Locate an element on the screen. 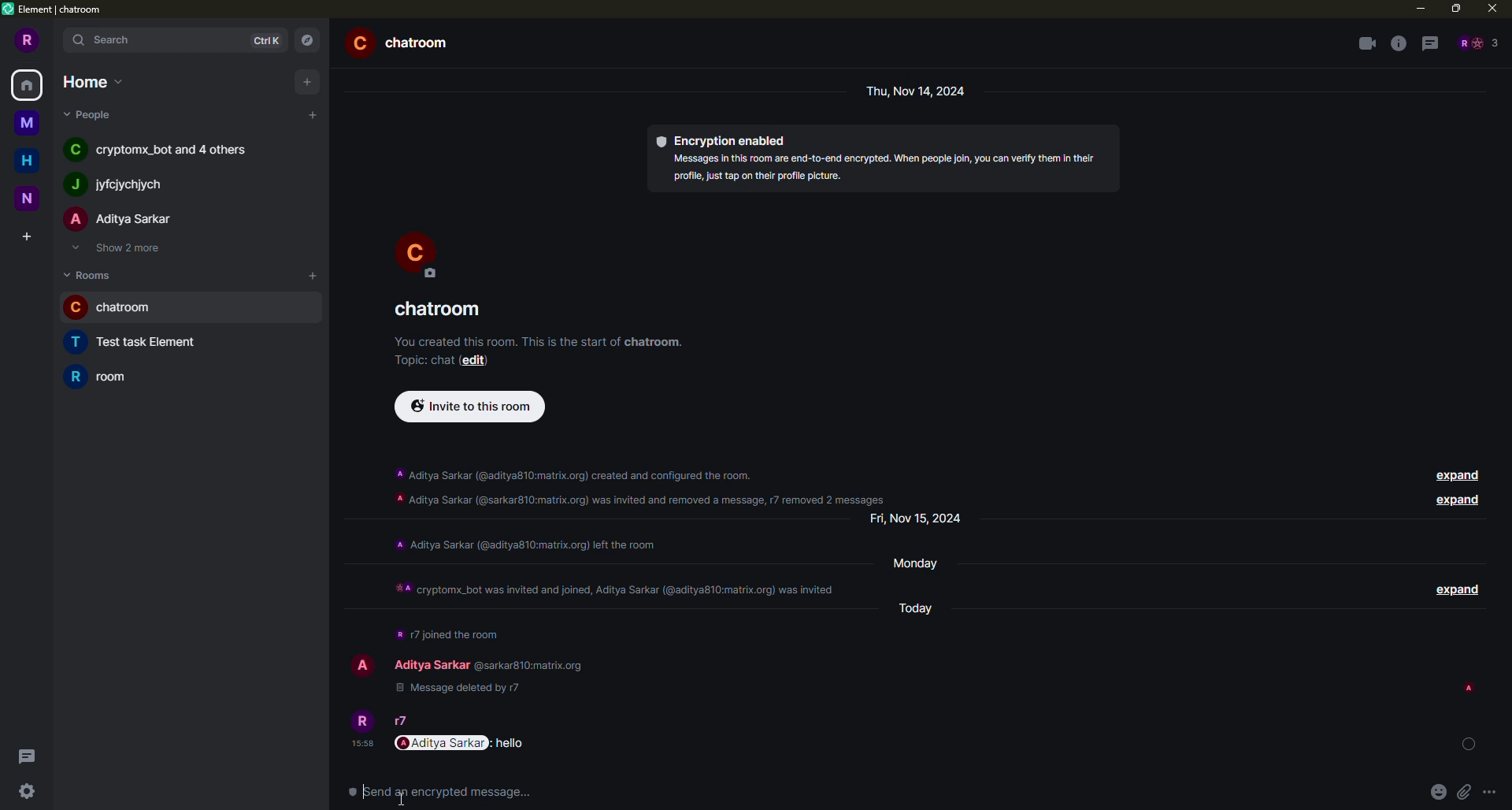  add is located at coordinates (305, 81).